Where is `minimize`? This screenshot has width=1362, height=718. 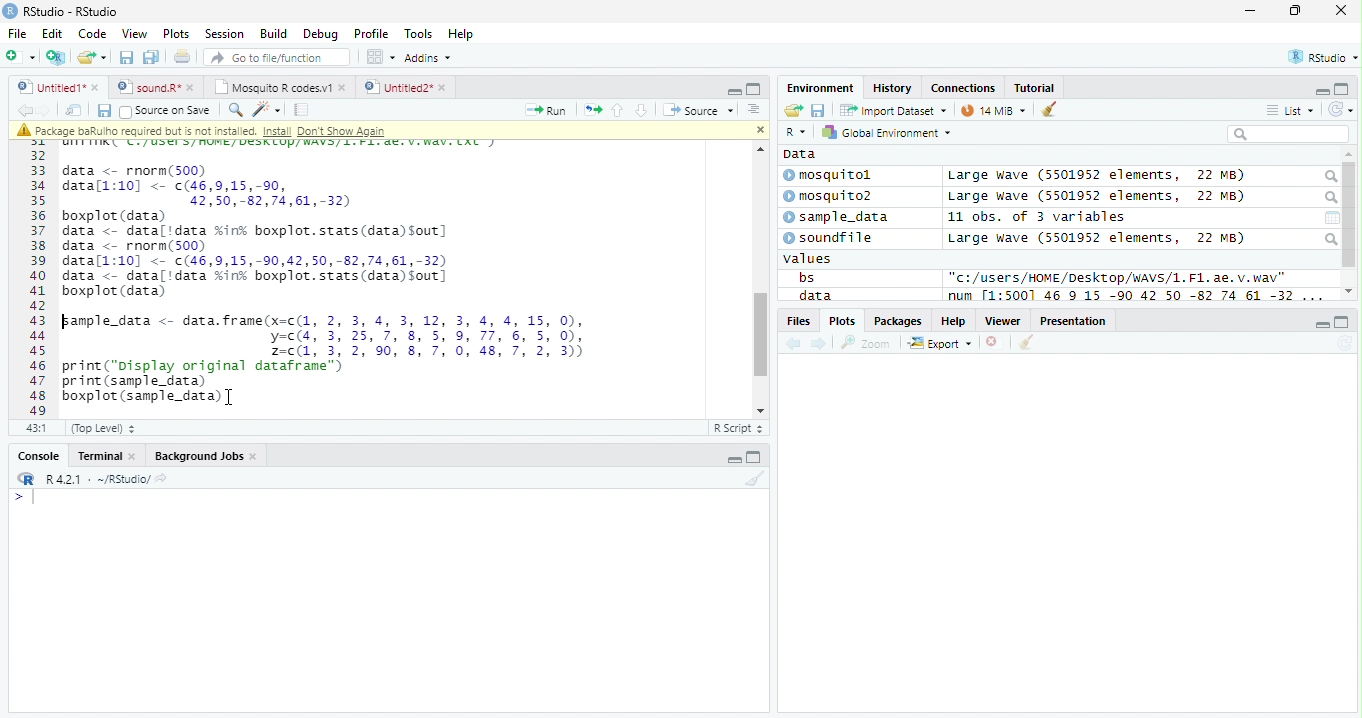
minimize is located at coordinates (1252, 10).